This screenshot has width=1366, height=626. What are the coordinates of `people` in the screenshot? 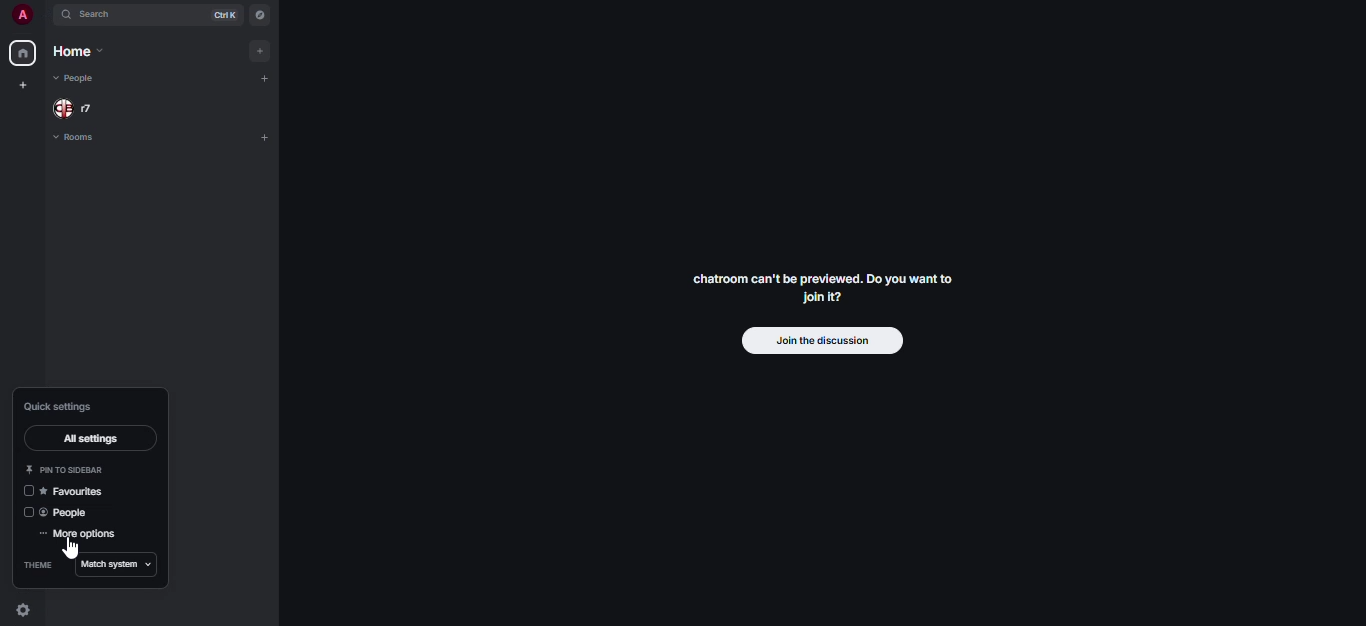 It's located at (76, 79).